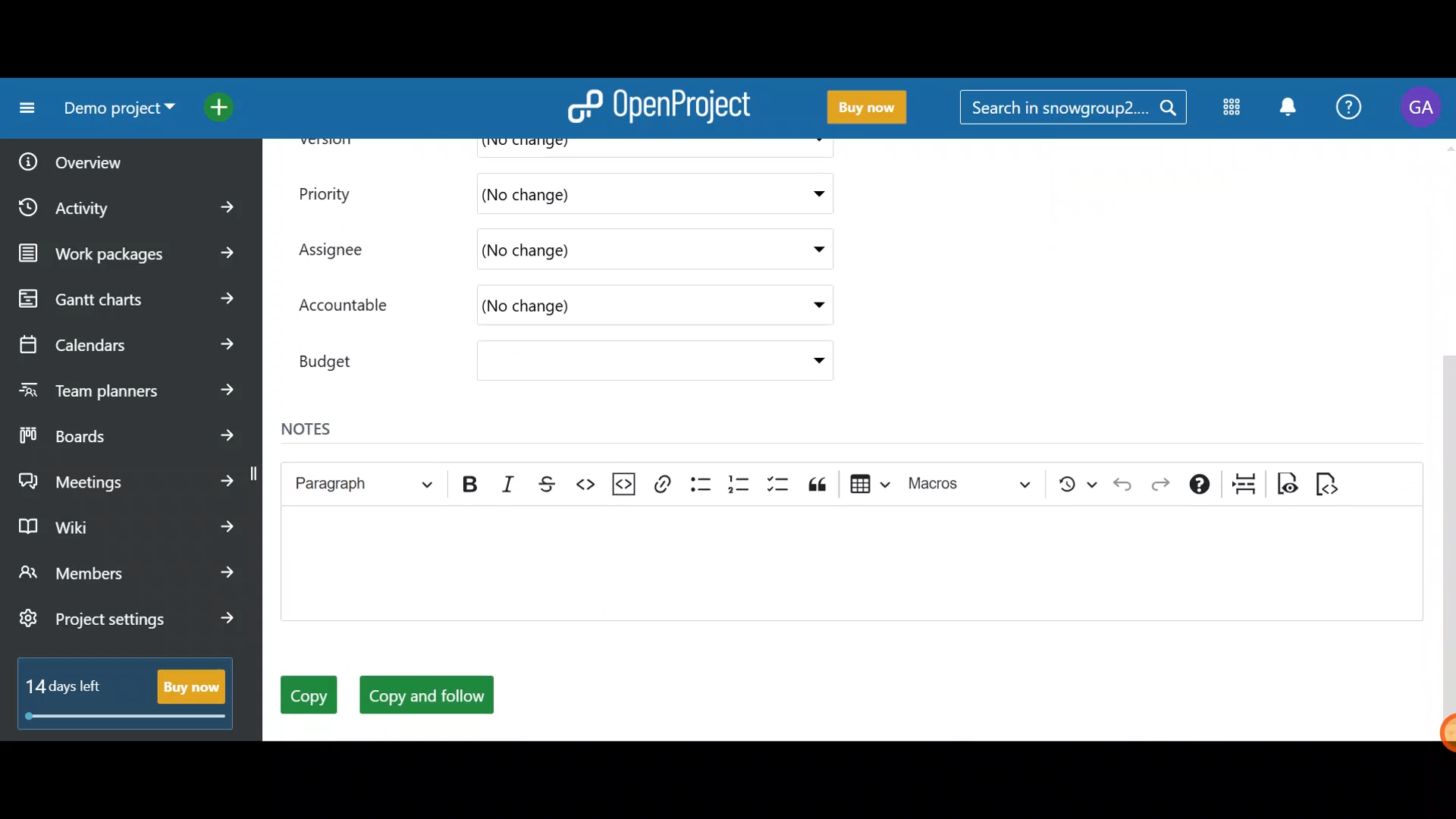  What do you see at coordinates (131, 202) in the screenshot?
I see `Activity` at bounding box center [131, 202].